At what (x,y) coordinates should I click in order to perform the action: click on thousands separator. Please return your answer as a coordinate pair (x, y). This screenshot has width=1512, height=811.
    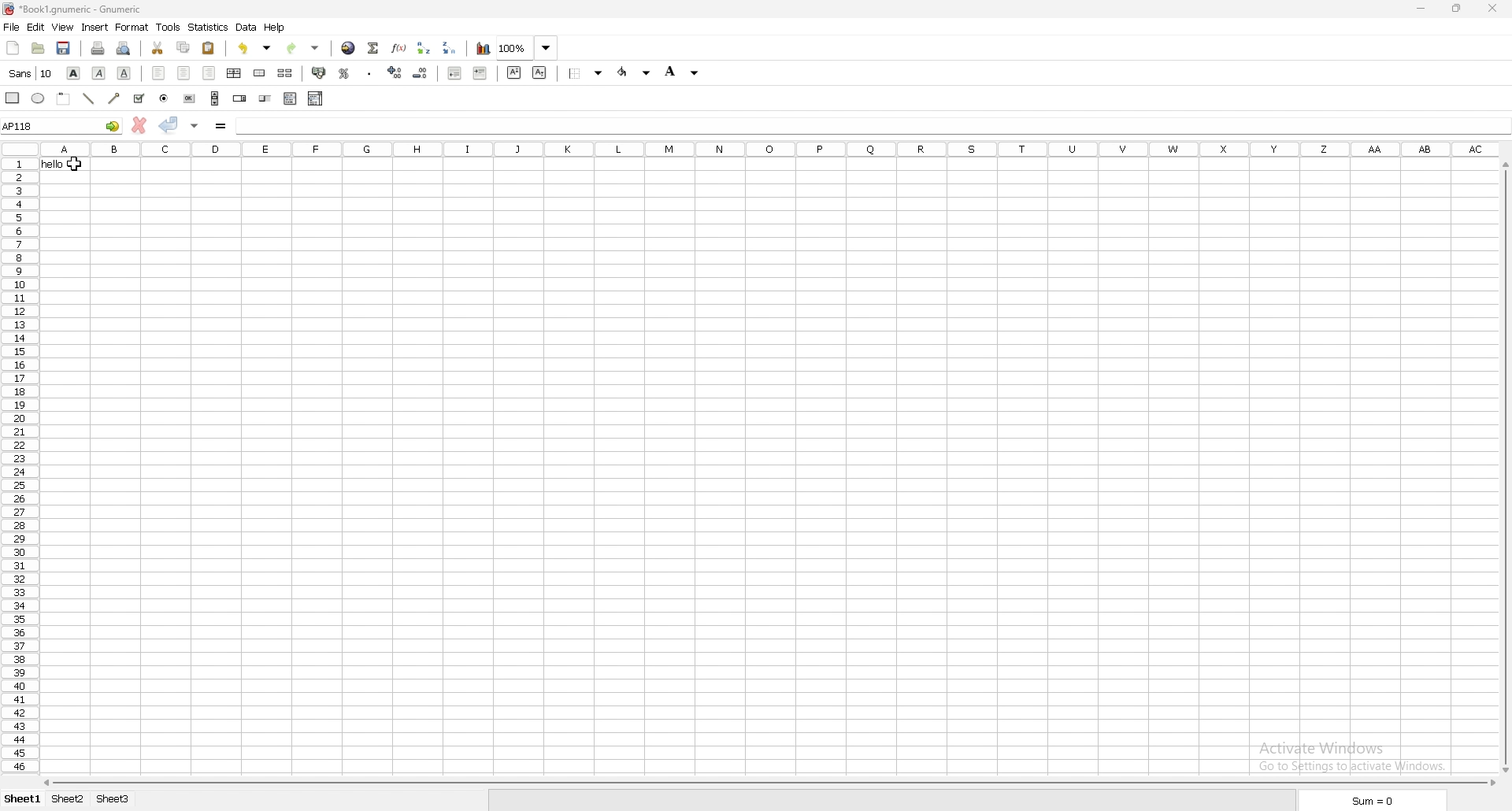
    Looking at the image, I should click on (369, 73).